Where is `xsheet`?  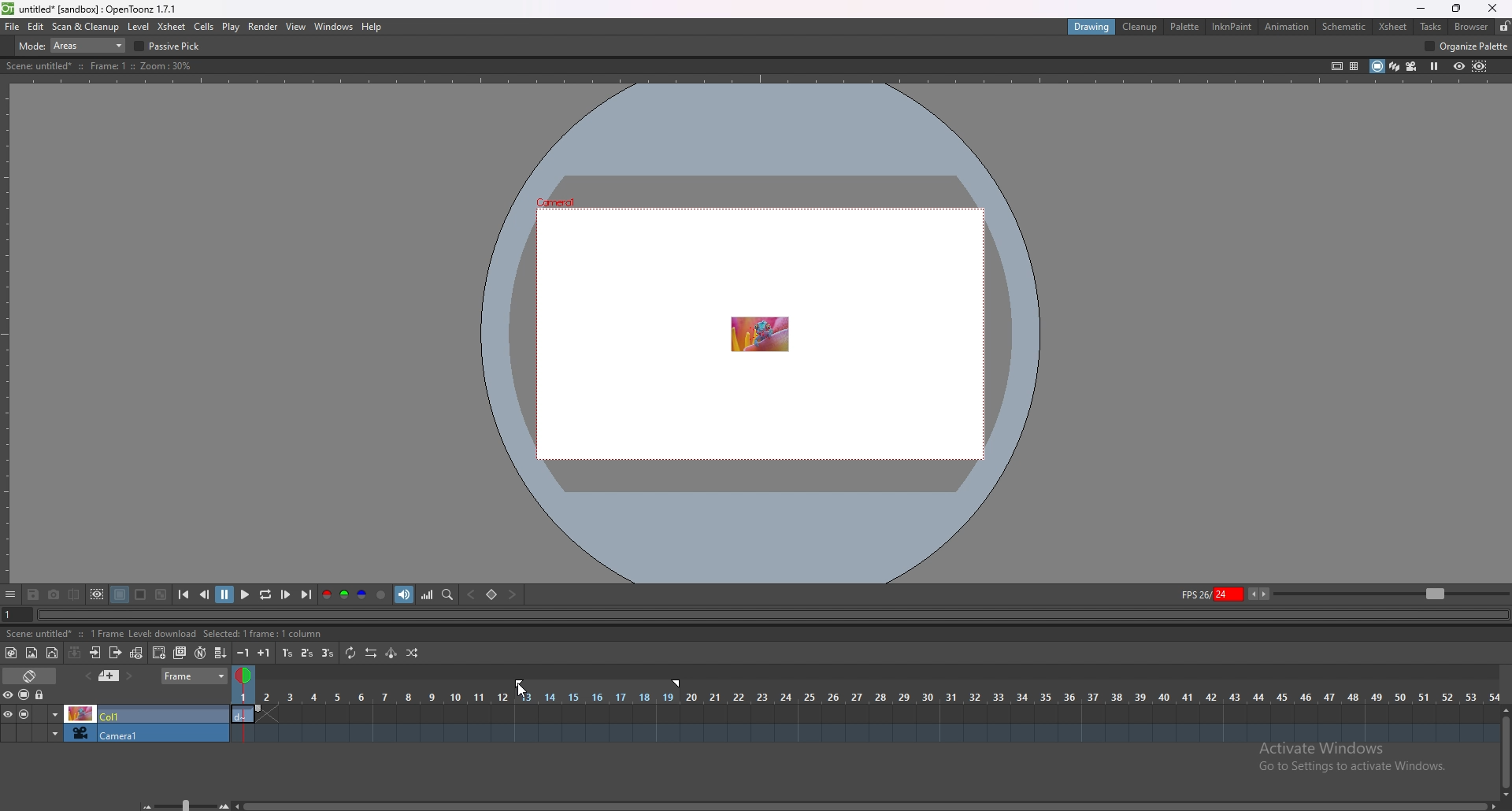
xsheet is located at coordinates (173, 28).